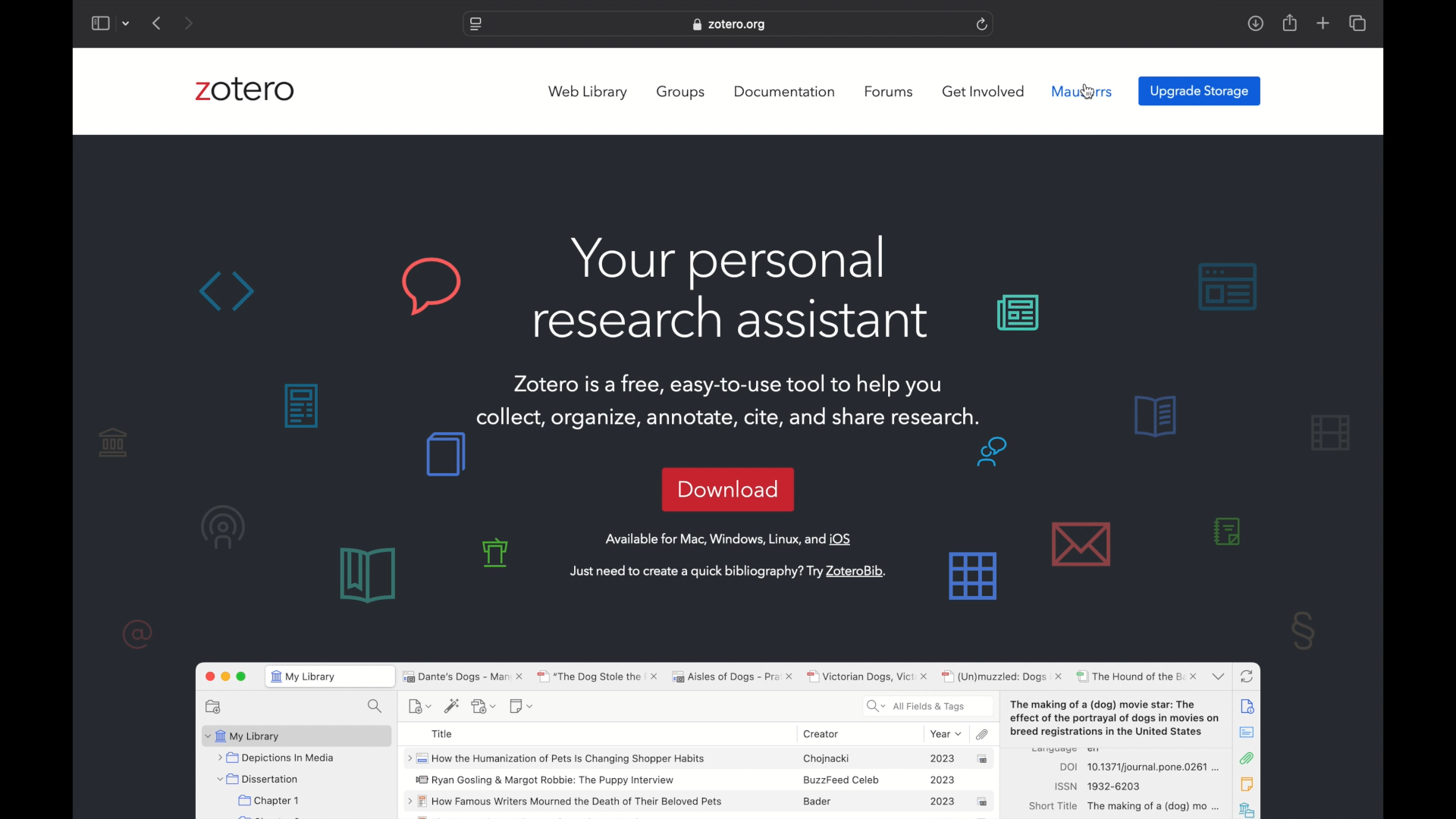 This screenshot has width=1456, height=819. What do you see at coordinates (1086, 91) in the screenshot?
I see `cursor` at bounding box center [1086, 91].